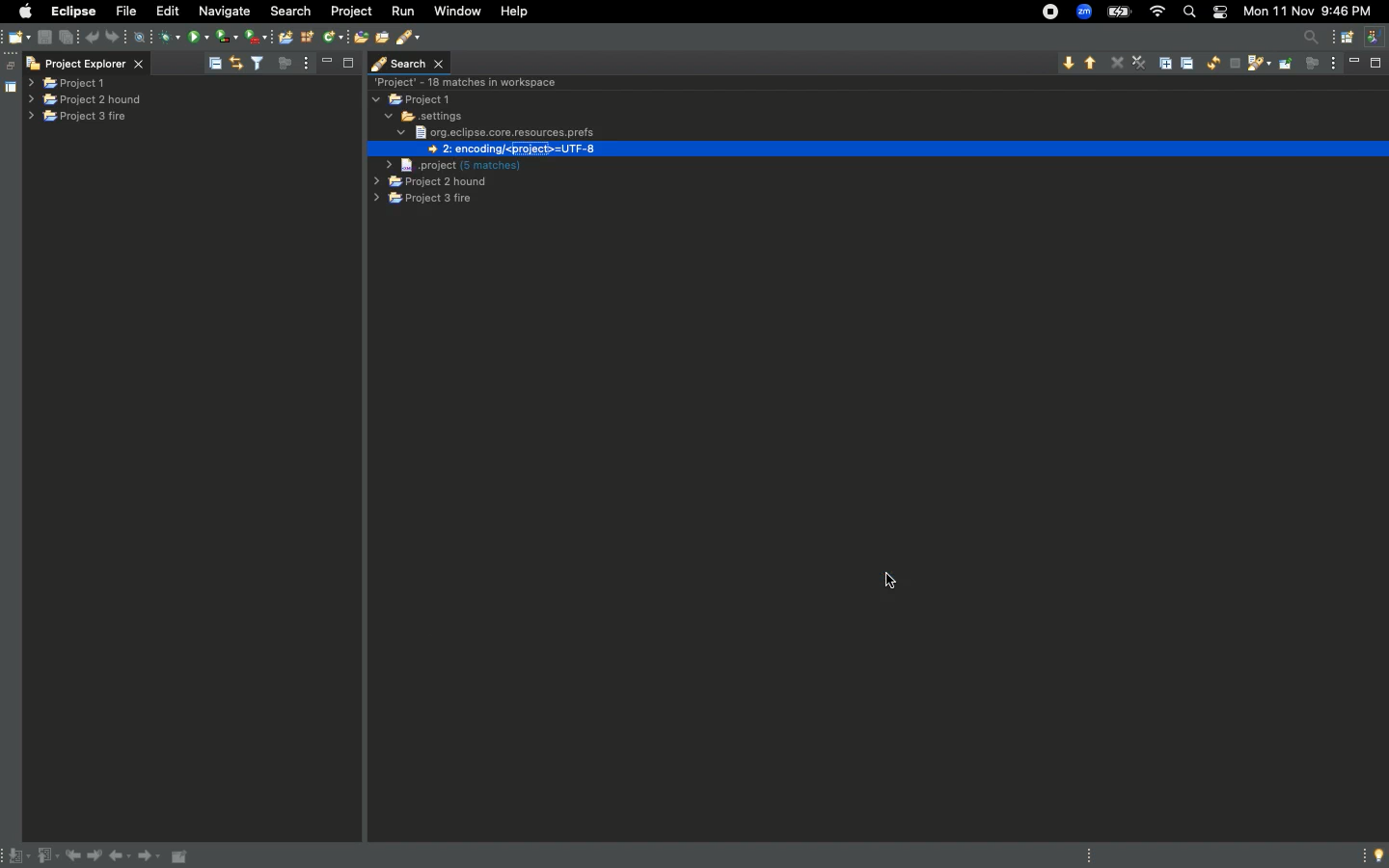  What do you see at coordinates (1312, 68) in the screenshot?
I see `focus on active activity` at bounding box center [1312, 68].